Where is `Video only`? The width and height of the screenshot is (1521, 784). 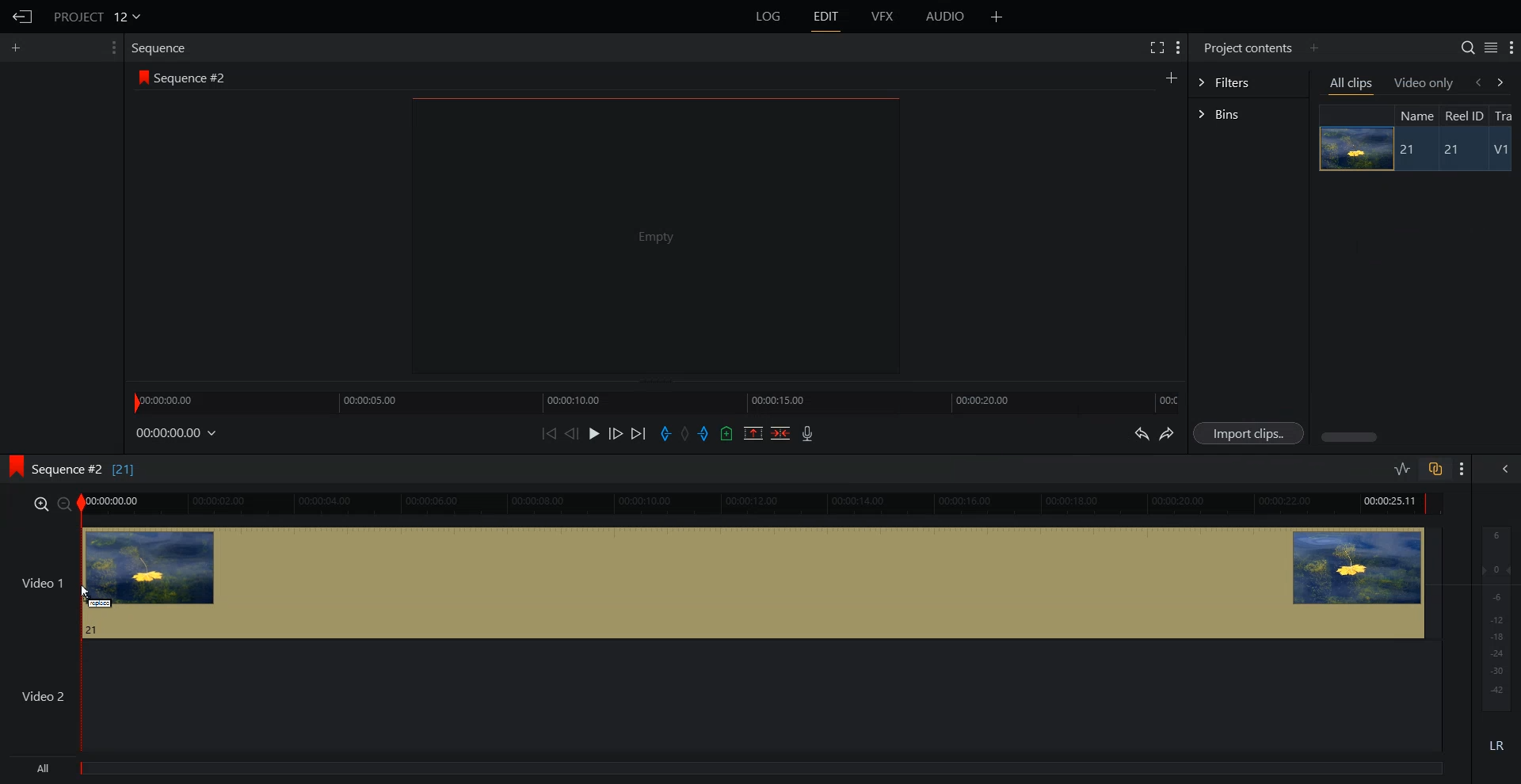
Video only is located at coordinates (1424, 83).